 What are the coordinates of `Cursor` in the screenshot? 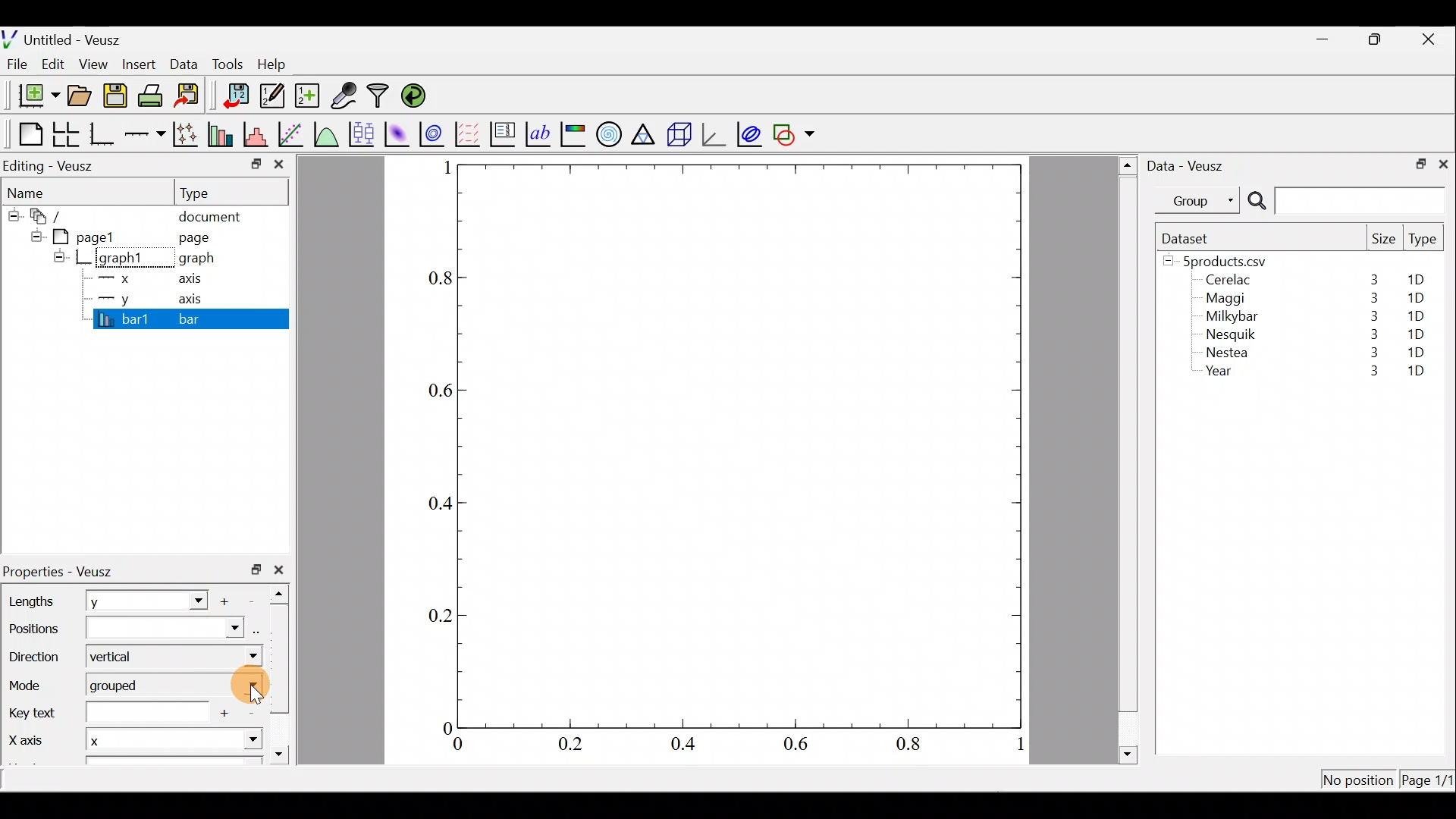 It's located at (237, 689).